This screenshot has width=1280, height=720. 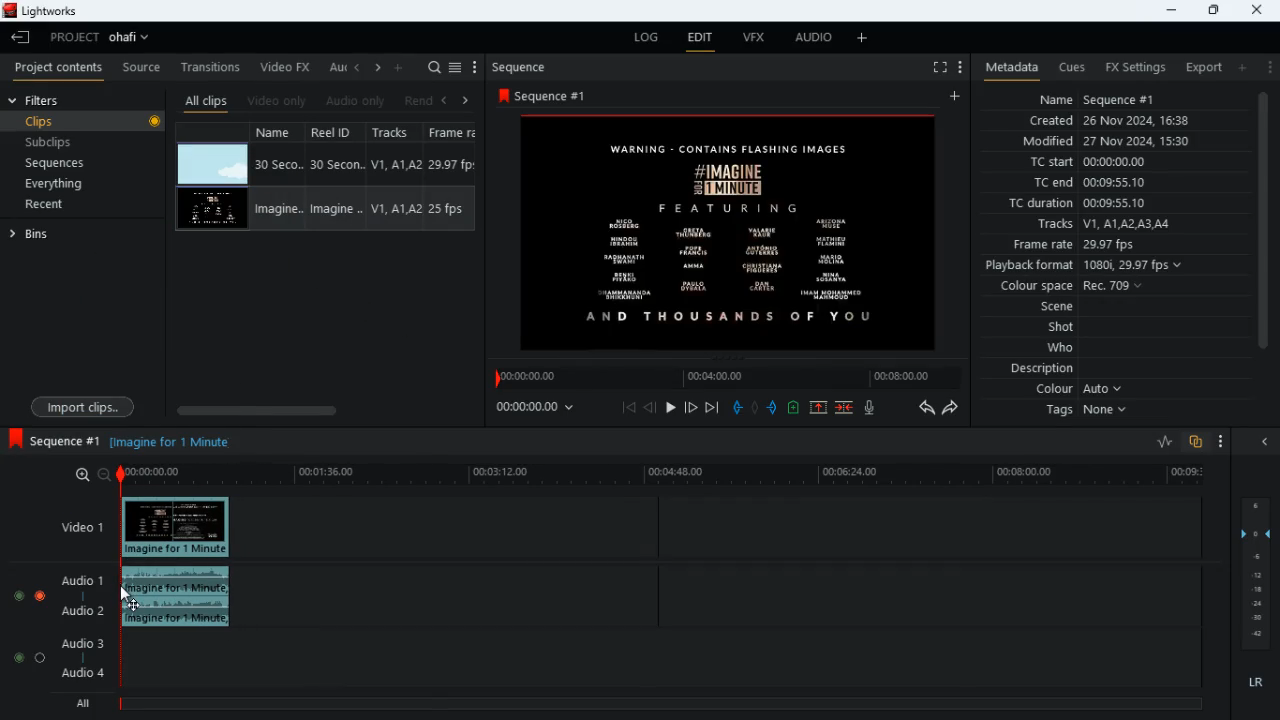 What do you see at coordinates (668, 476) in the screenshot?
I see `timeline` at bounding box center [668, 476].